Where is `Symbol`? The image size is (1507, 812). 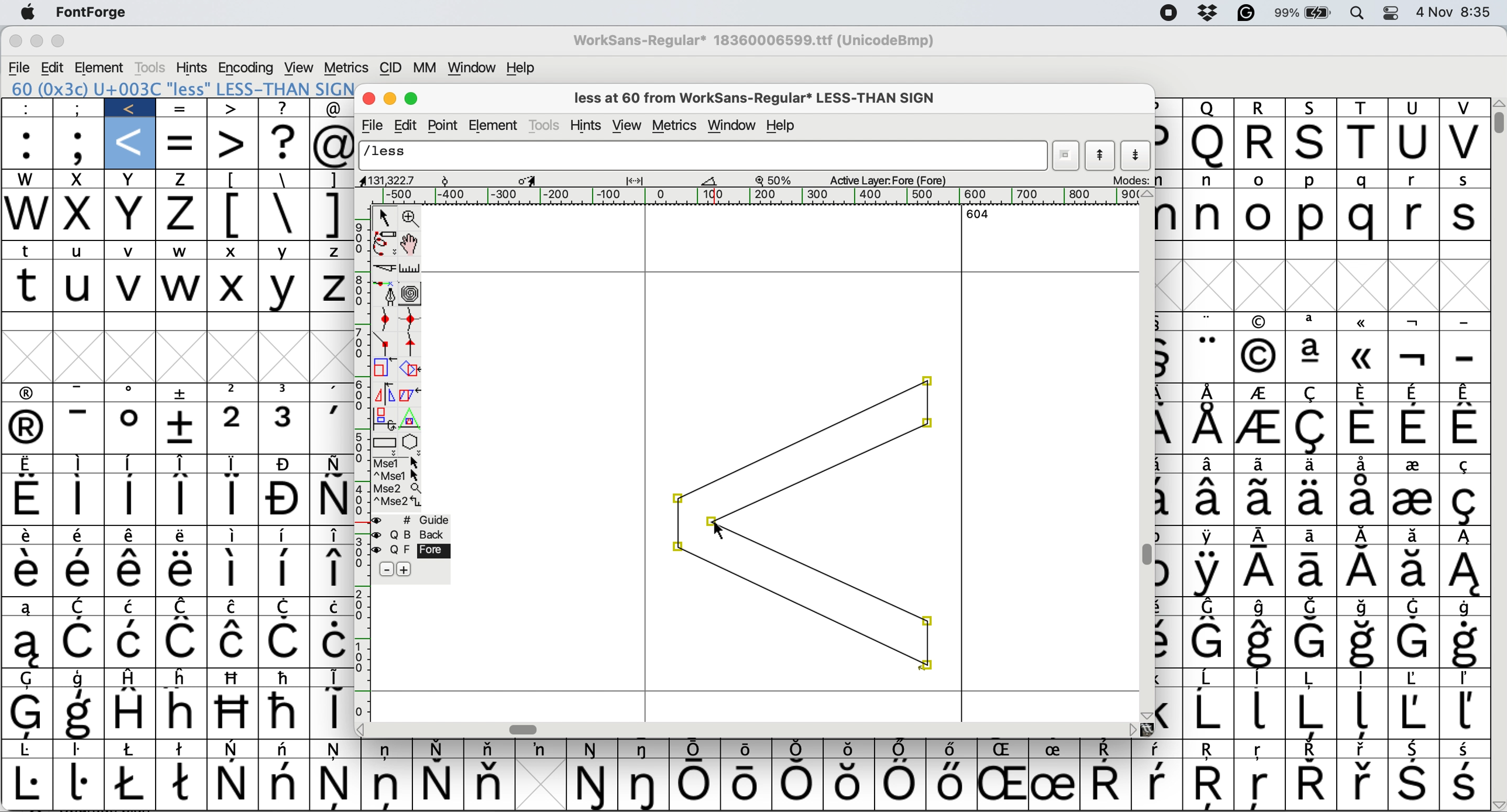
Symbol is located at coordinates (1169, 357).